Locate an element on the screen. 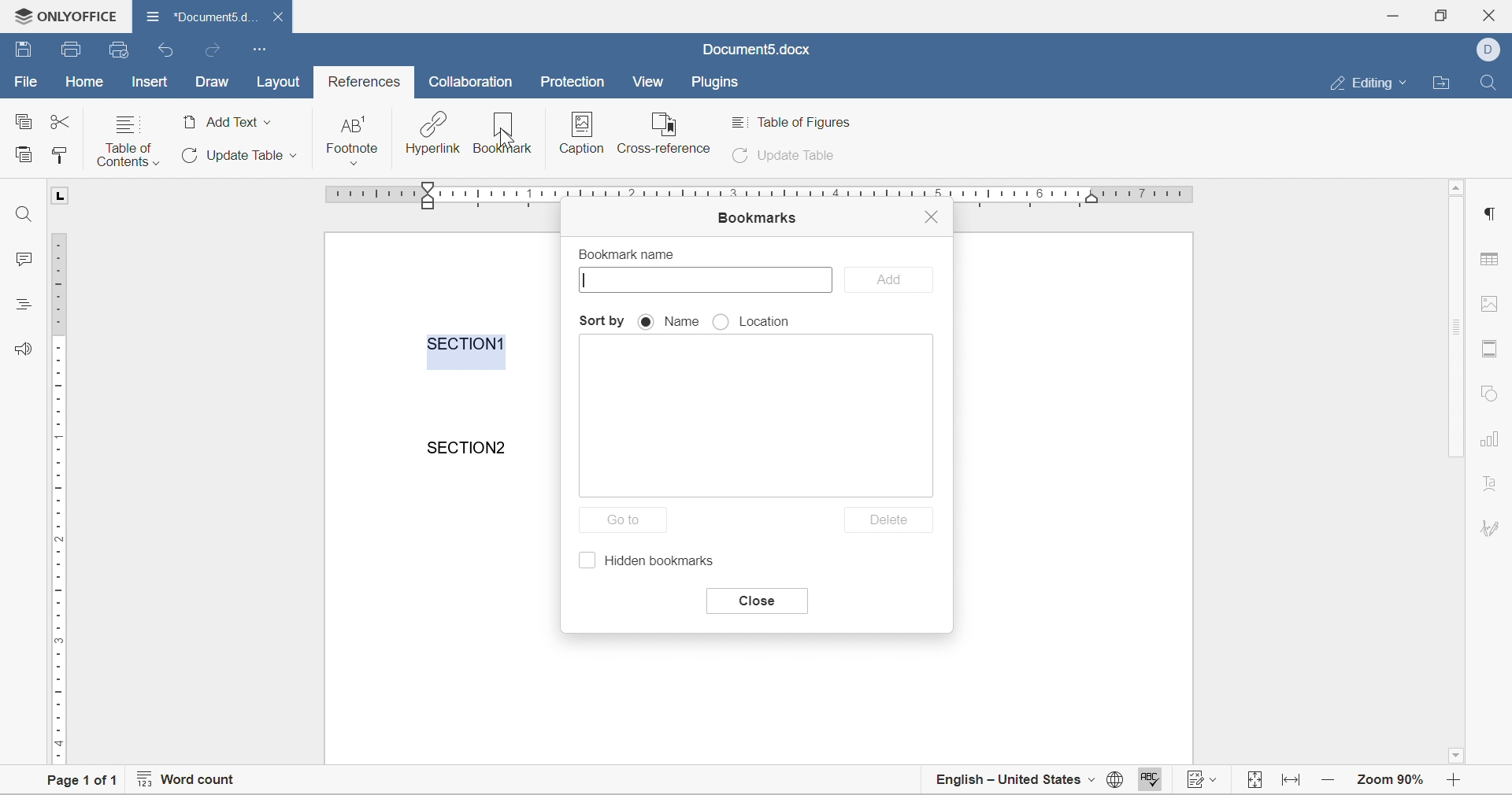 The image size is (1512, 795). english - united states is located at coordinates (1016, 782).